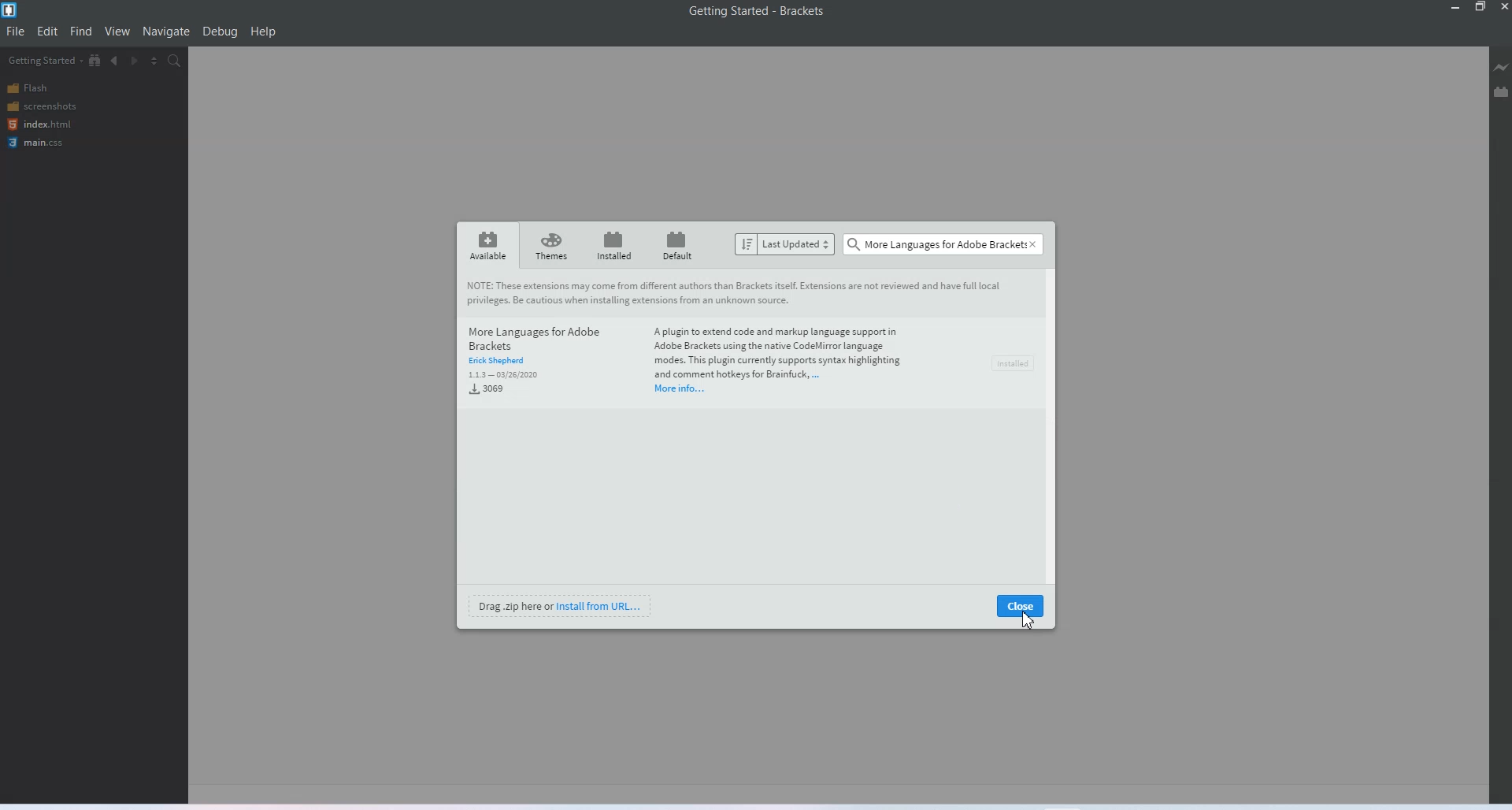 The height and width of the screenshot is (810, 1512). What do you see at coordinates (116, 61) in the screenshot?
I see `Navigate Backwards` at bounding box center [116, 61].